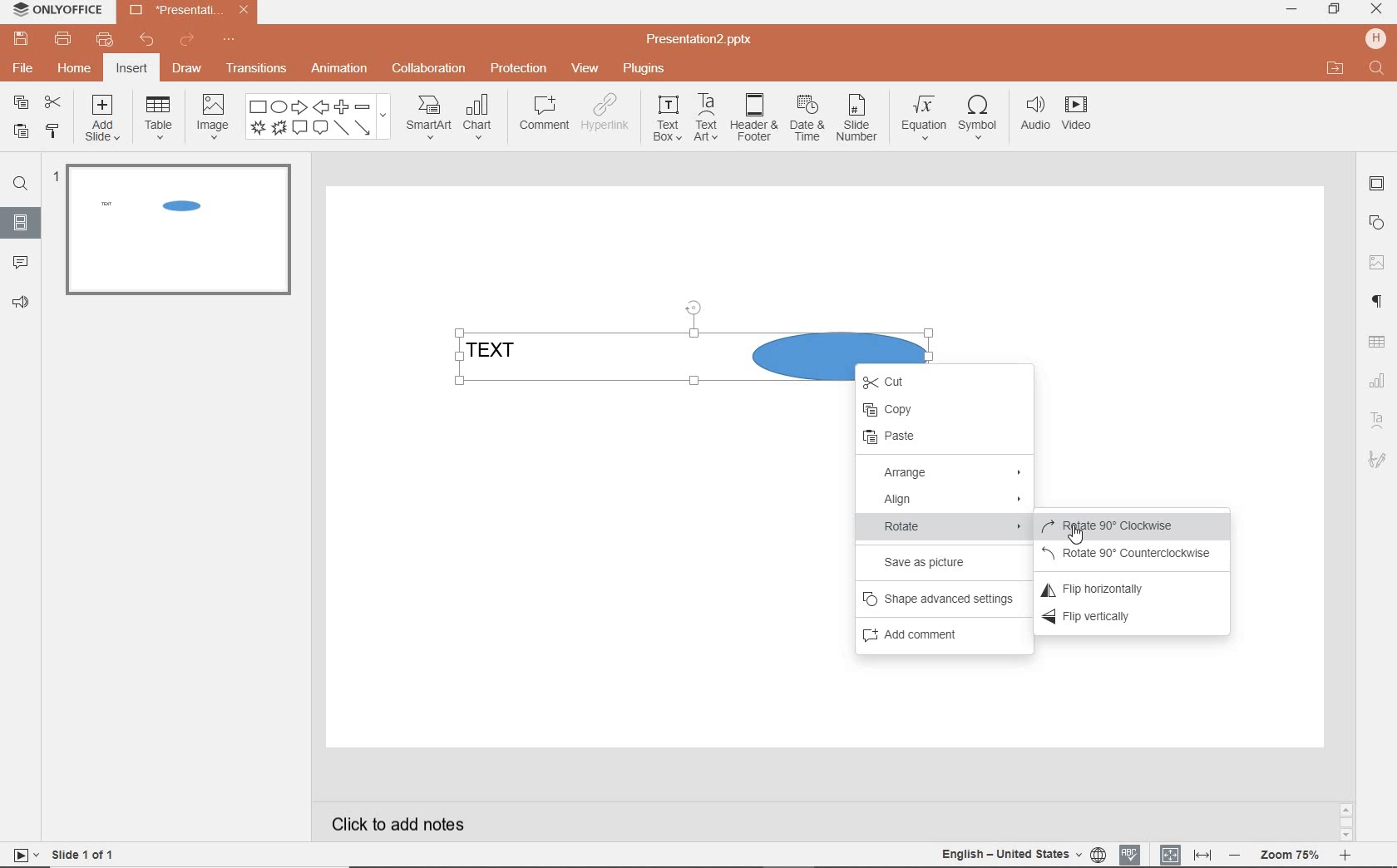 Image resolution: width=1397 pixels, height=868 pixels. I want to click on Presentation2.pptx, so click(700, 40).